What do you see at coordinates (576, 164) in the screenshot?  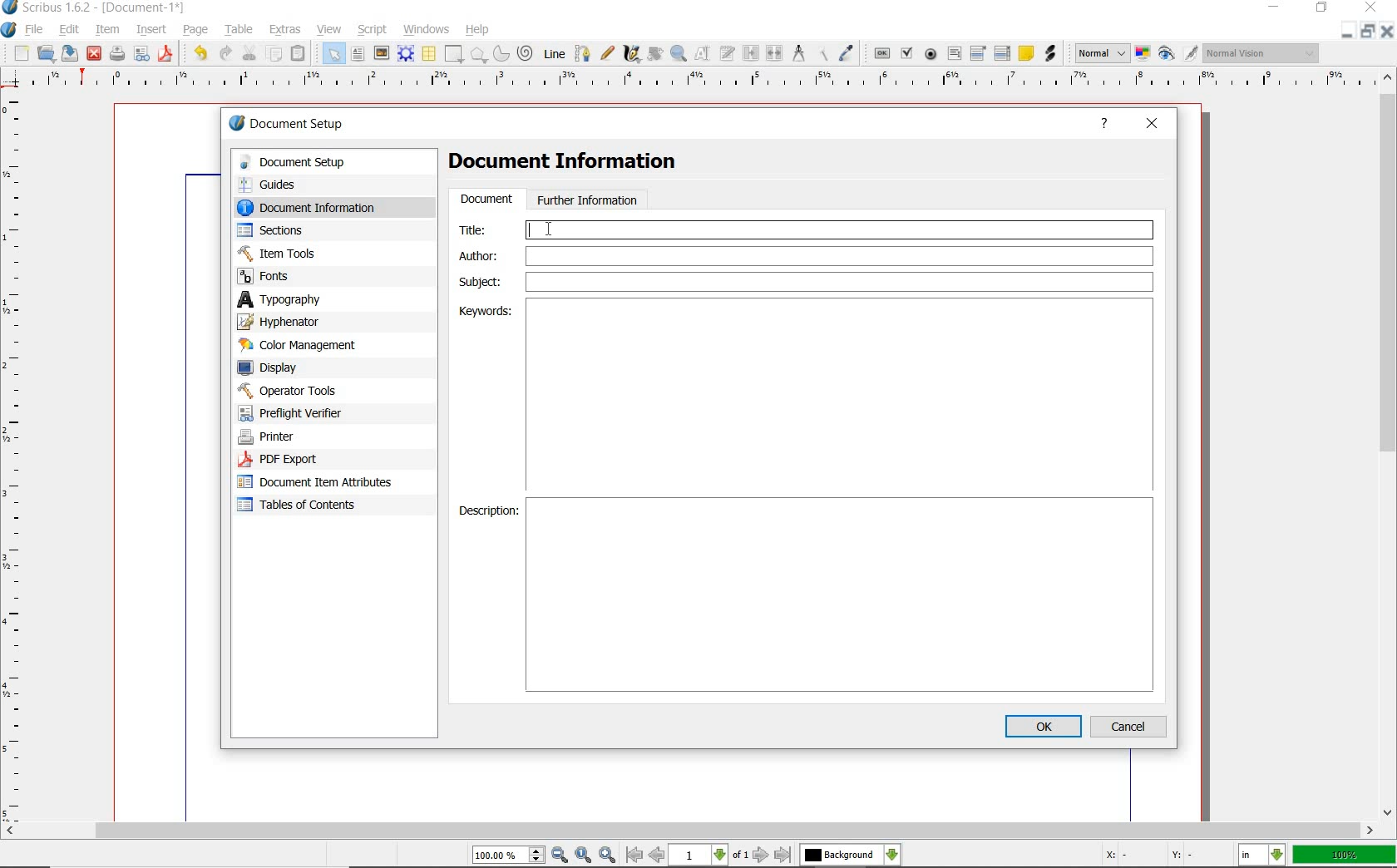 I see `Document Information` at bounding box center [576, 164].